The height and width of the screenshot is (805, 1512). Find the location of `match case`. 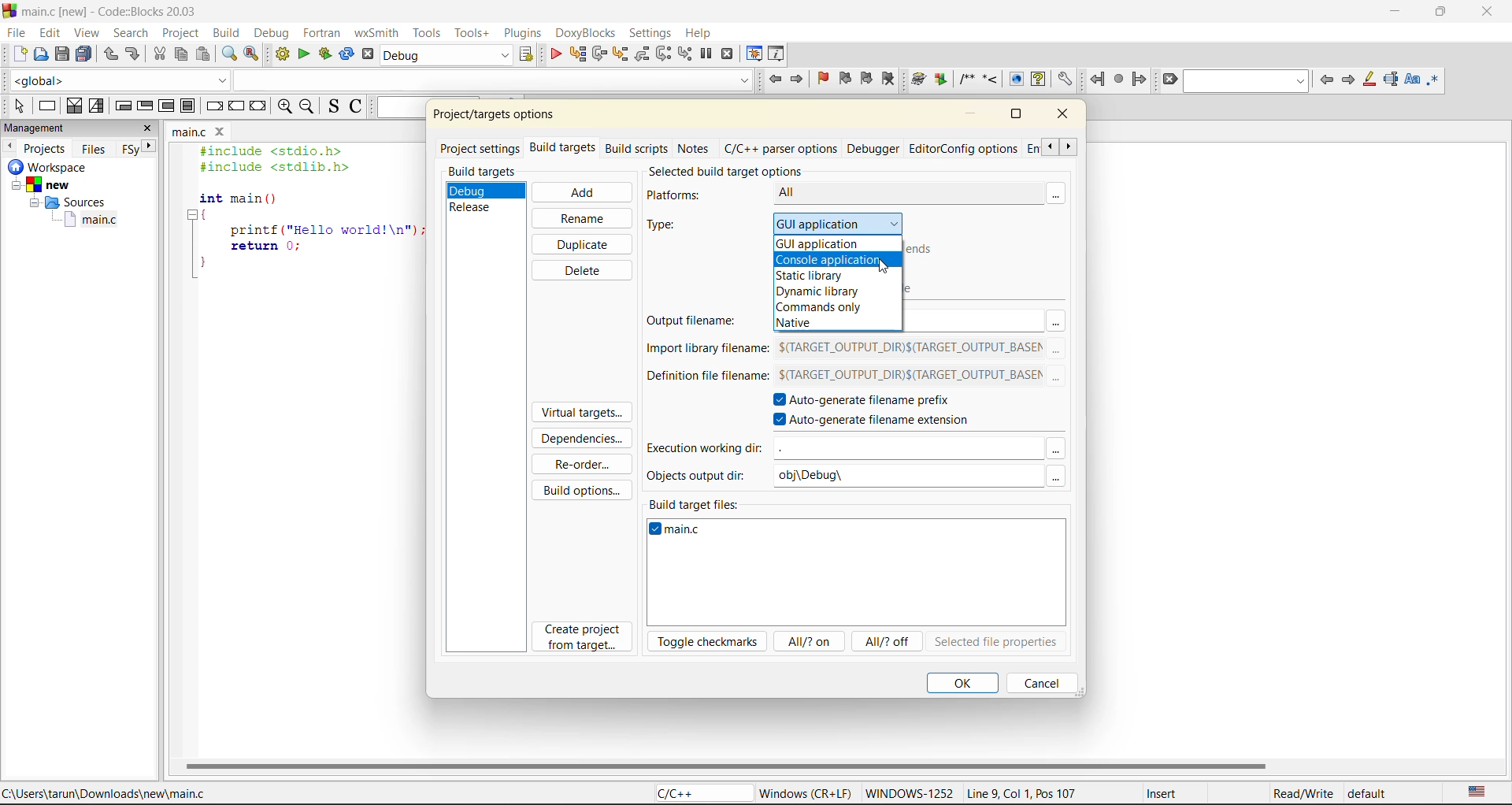

match case is located at coordinates (1413, 80).